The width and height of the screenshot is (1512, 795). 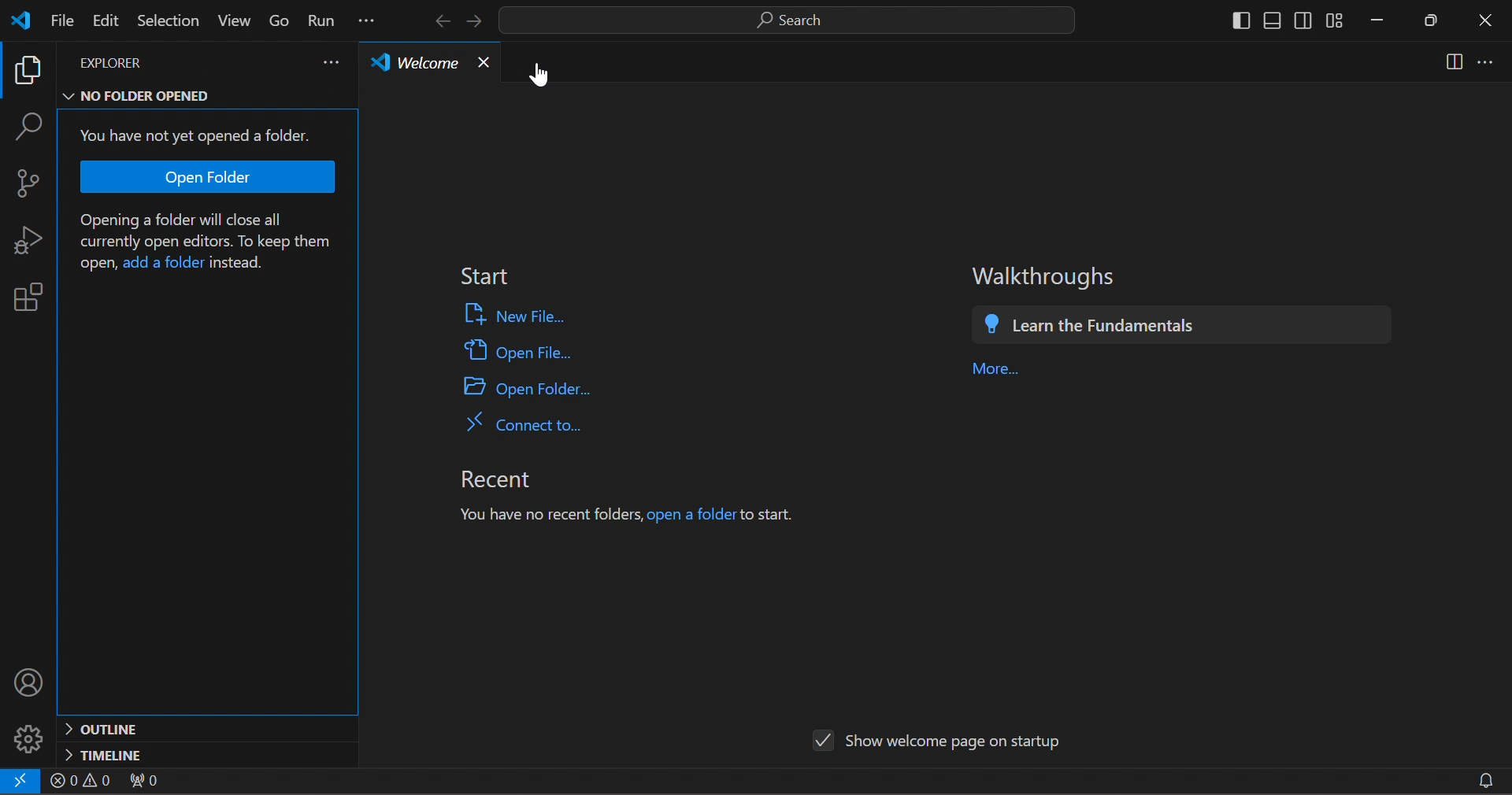 What do you see at coordinates (632, 514) in the screenshot?
I see `you have no recent folders, open a folder to start` at bounding box center [632, 514].